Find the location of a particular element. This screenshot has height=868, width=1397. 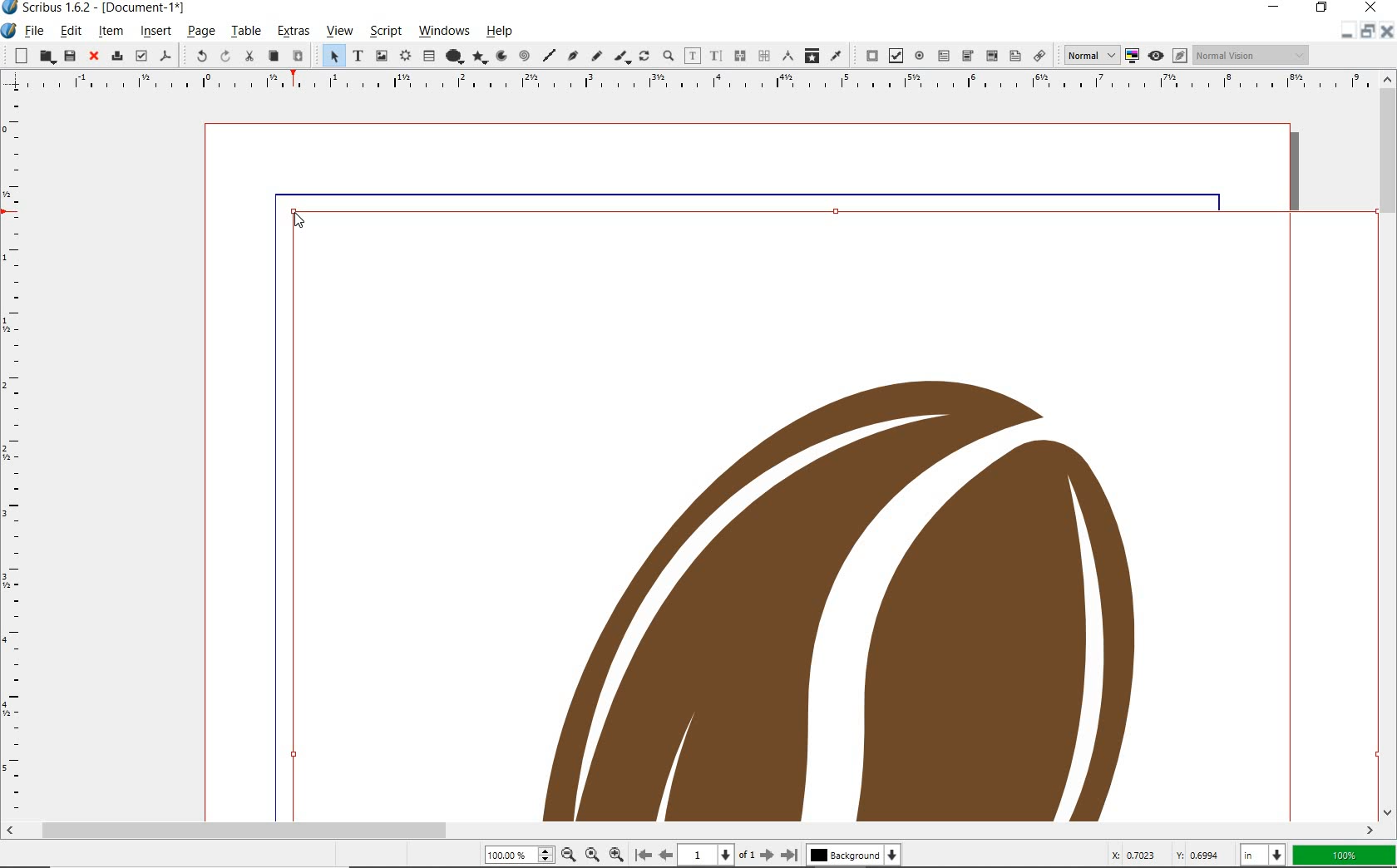

Cursor Position is located at coordinates (299, 220).